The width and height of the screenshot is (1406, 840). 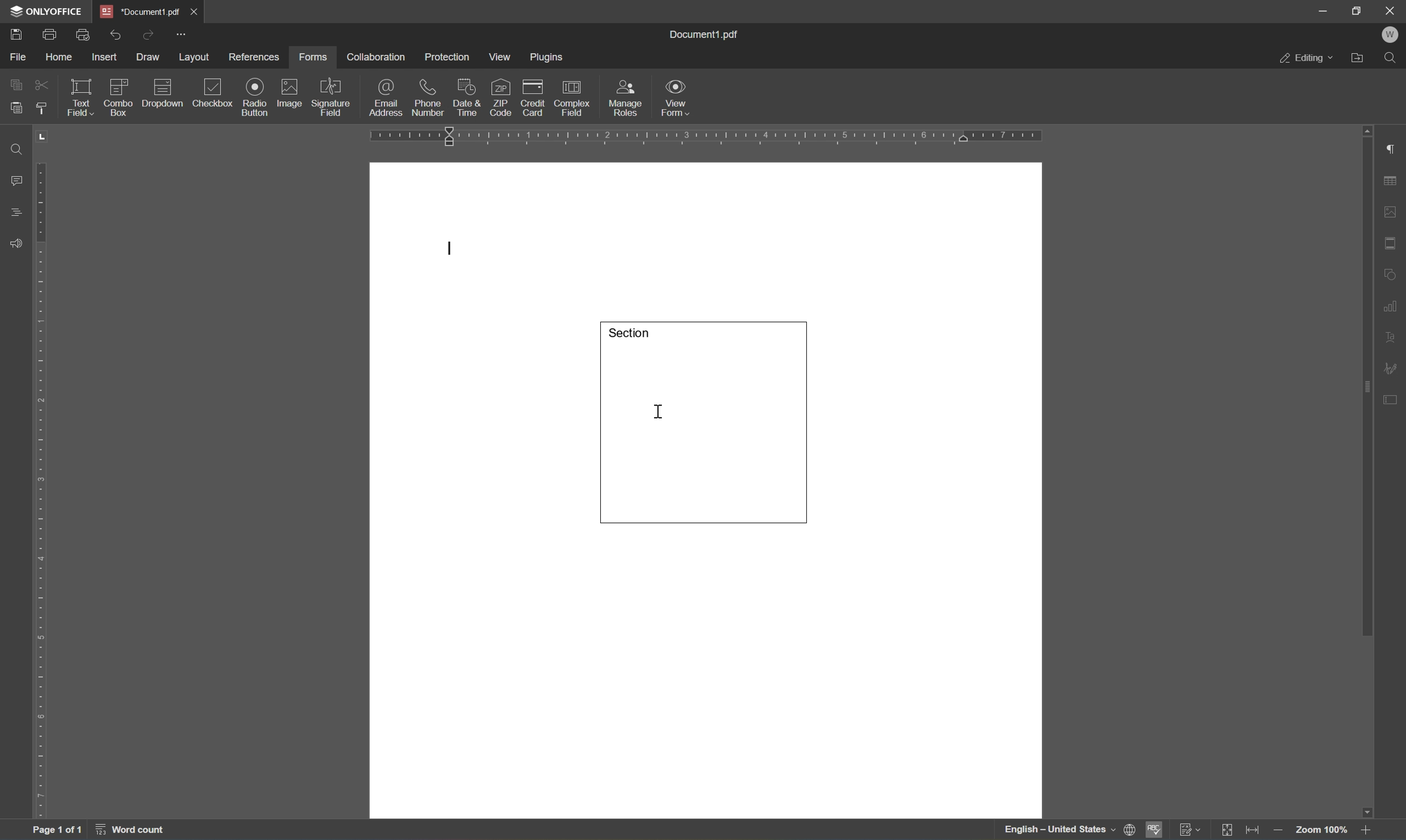 What do you see at coordinates (1394, 61) in the screenshot?
I see `Find` at bounding box center [1394, 61].